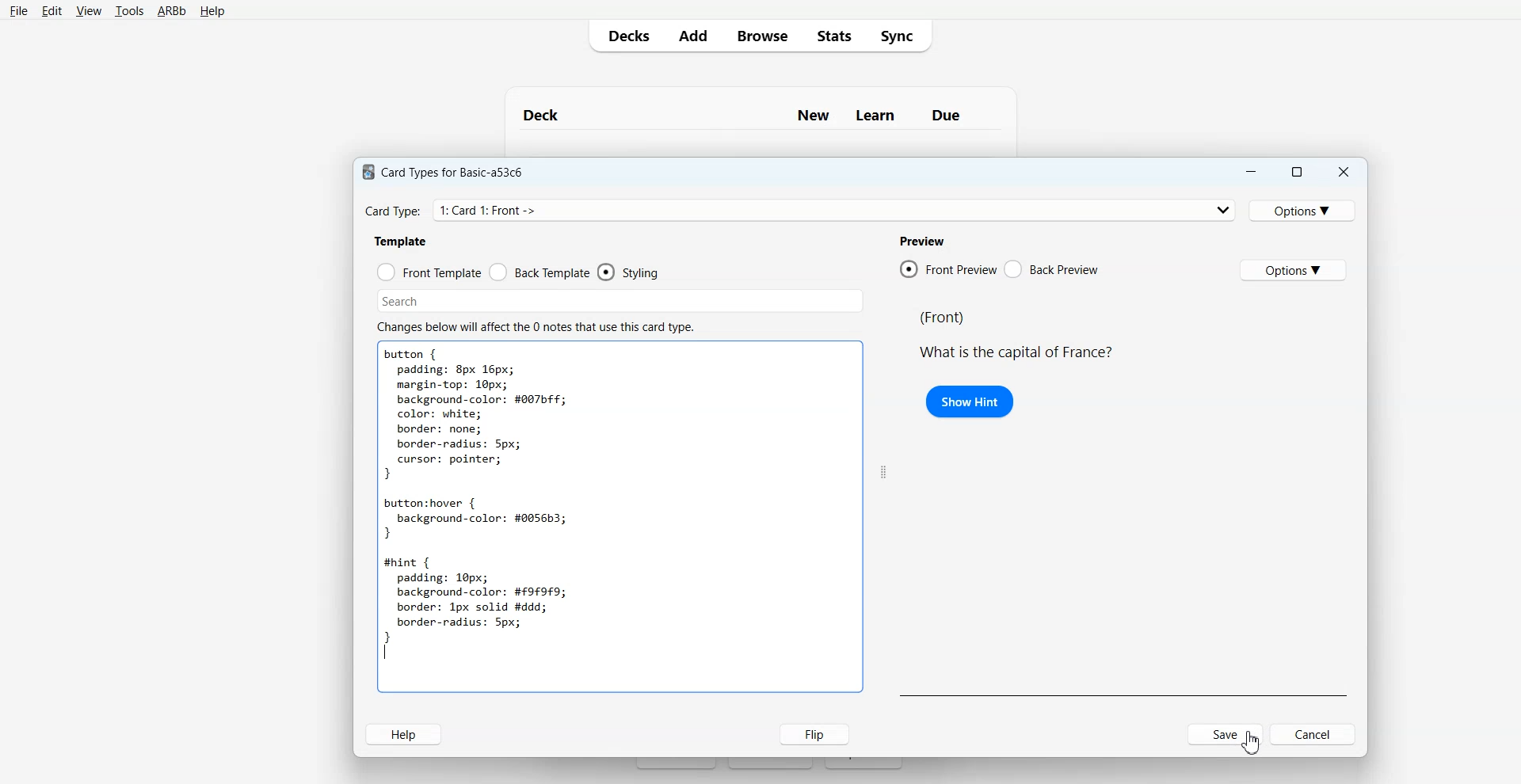 The image size is (1521, 784). Describe the element at coordinates (761, 35) in the screenshot. I see `Browse` at that location.